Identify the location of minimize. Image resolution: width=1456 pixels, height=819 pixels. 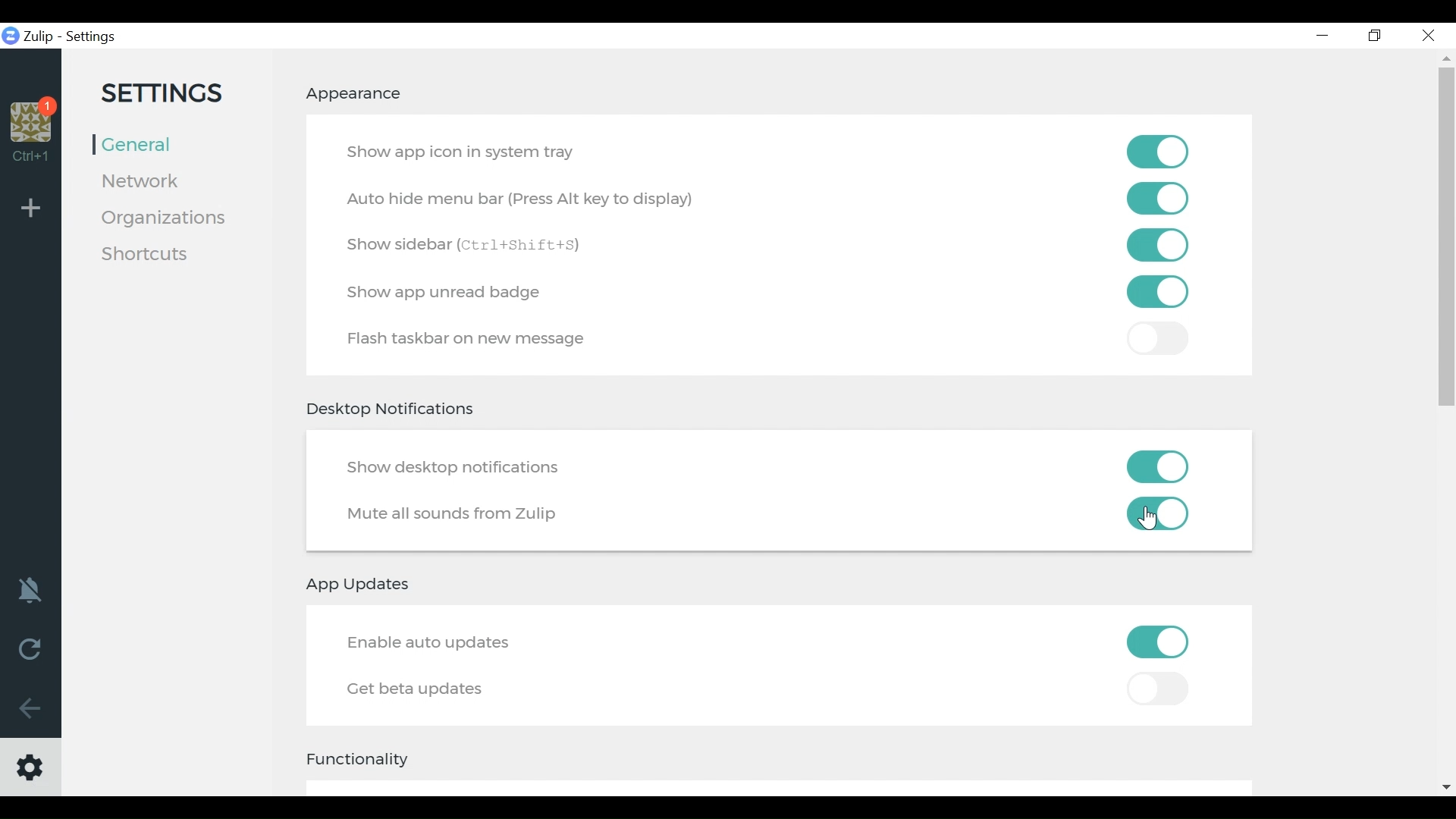
(1320, 35).